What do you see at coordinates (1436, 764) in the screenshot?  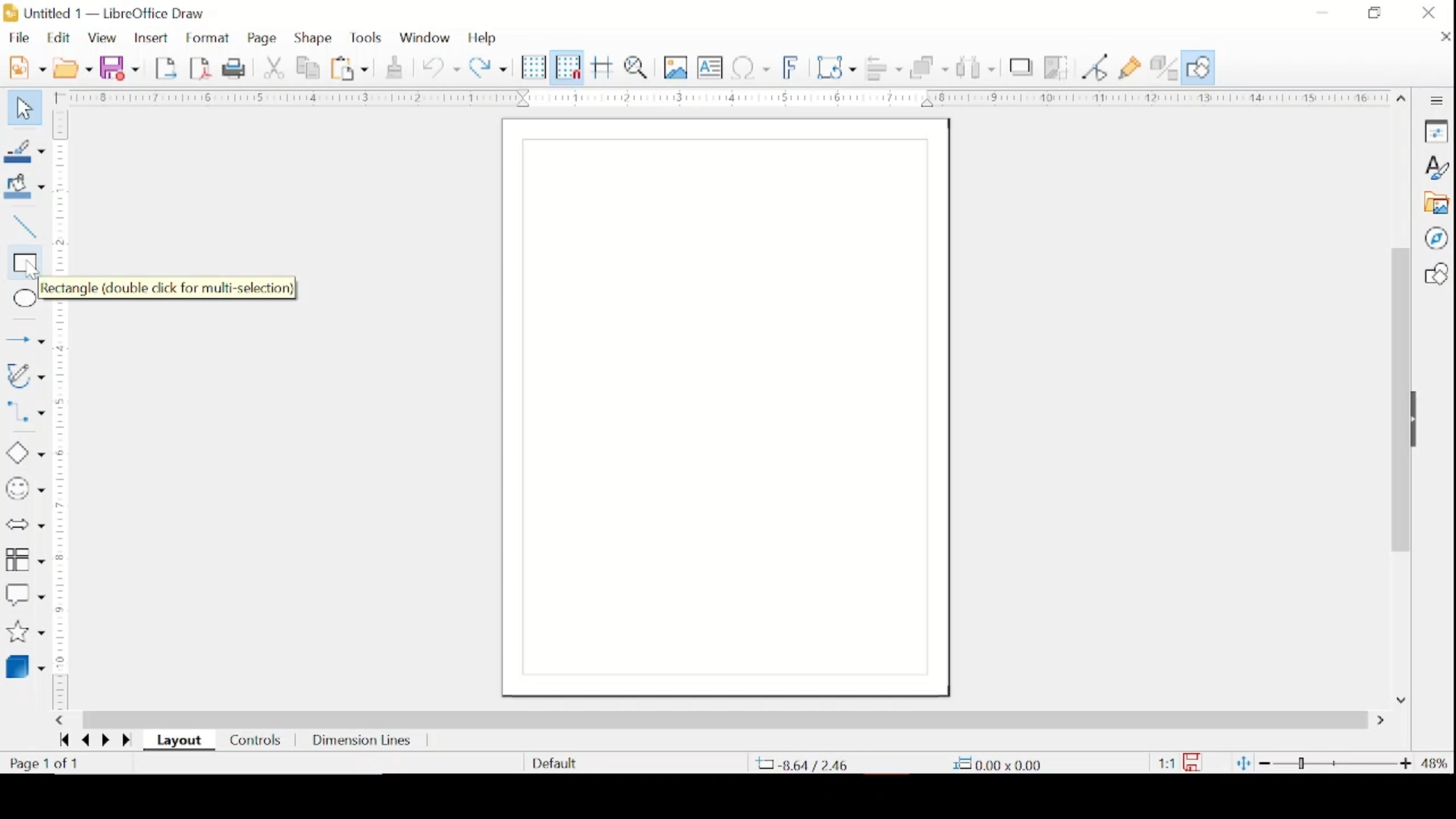 I see `zoom level` at bounding box center [1436, 764].